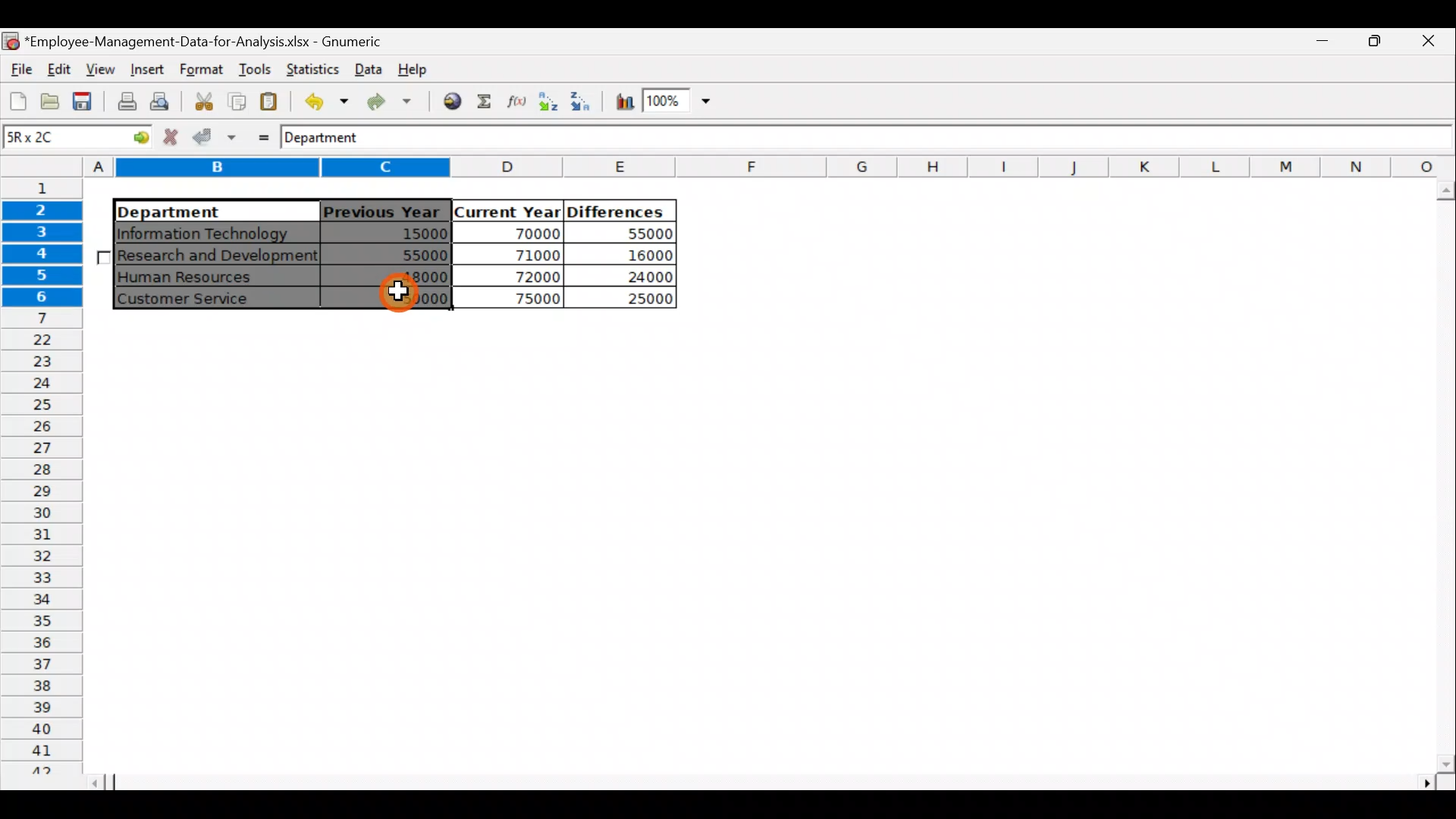  What do you see at coordinates (11, 40) in the screenshot?
I see `Gnumeric logo` at bounding box center [11, 40].